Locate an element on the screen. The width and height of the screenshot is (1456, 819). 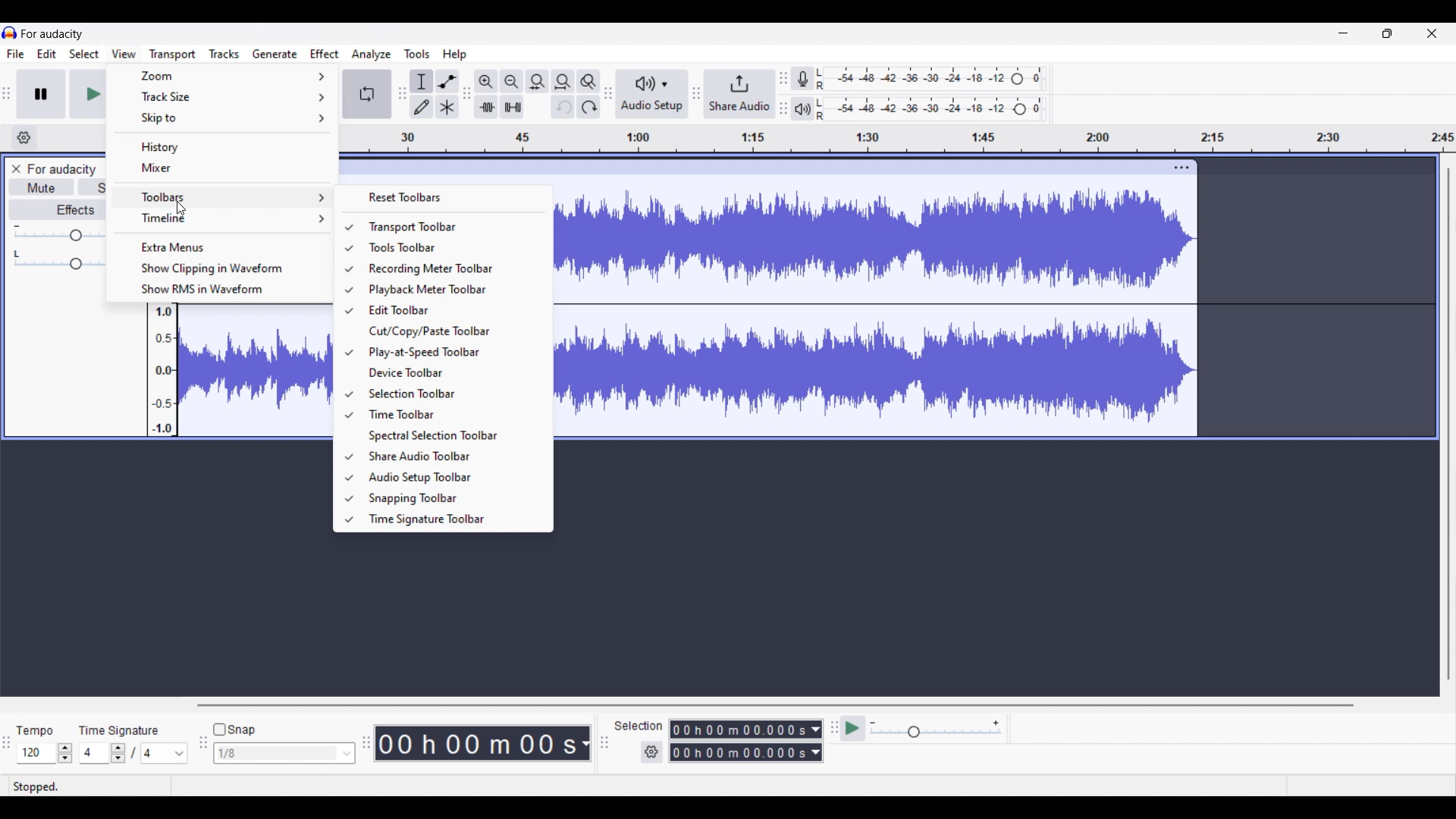
Time signature settings is located at coordinates (135, 752).